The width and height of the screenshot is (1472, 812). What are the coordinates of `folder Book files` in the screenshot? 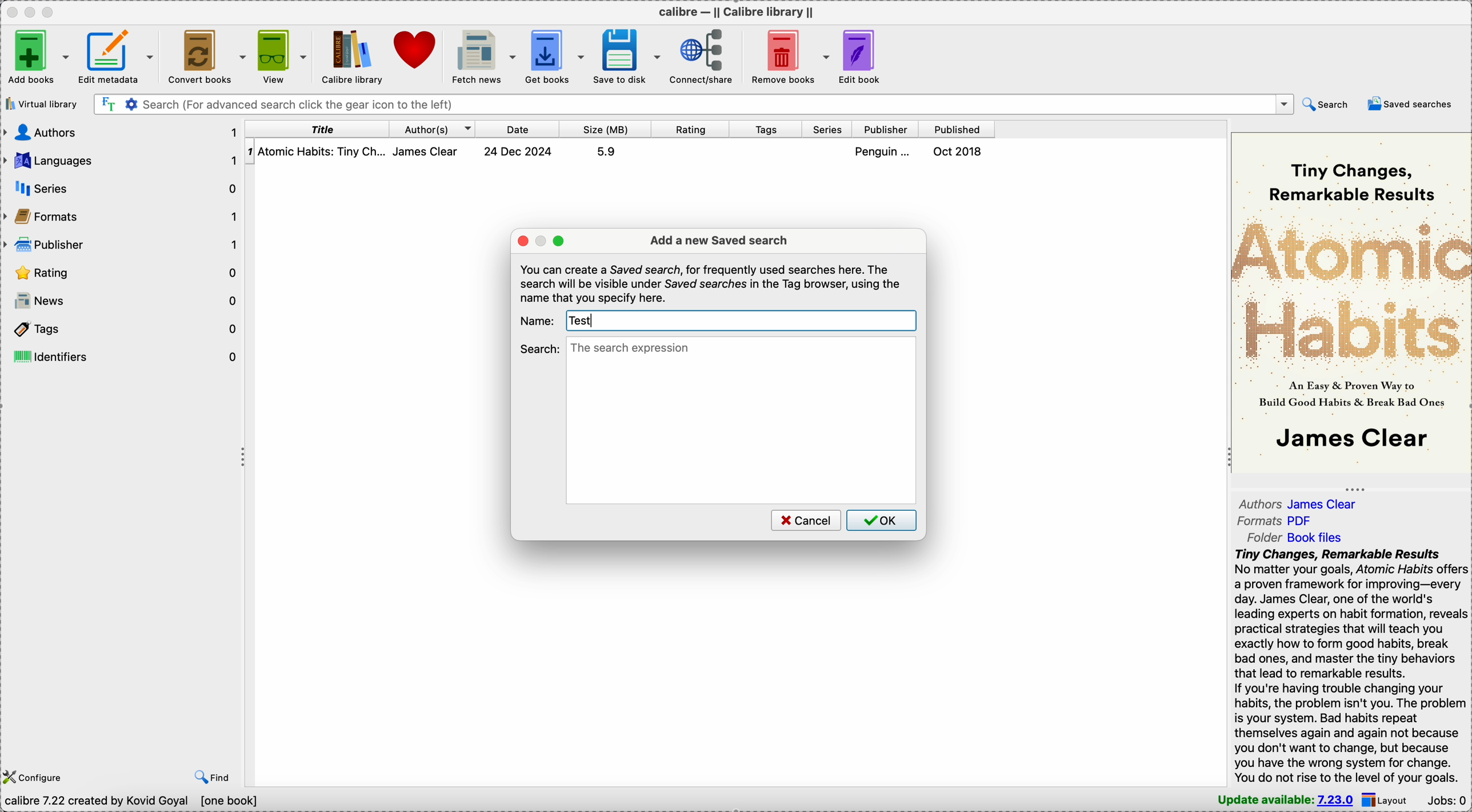 It's located at (1294, 538).